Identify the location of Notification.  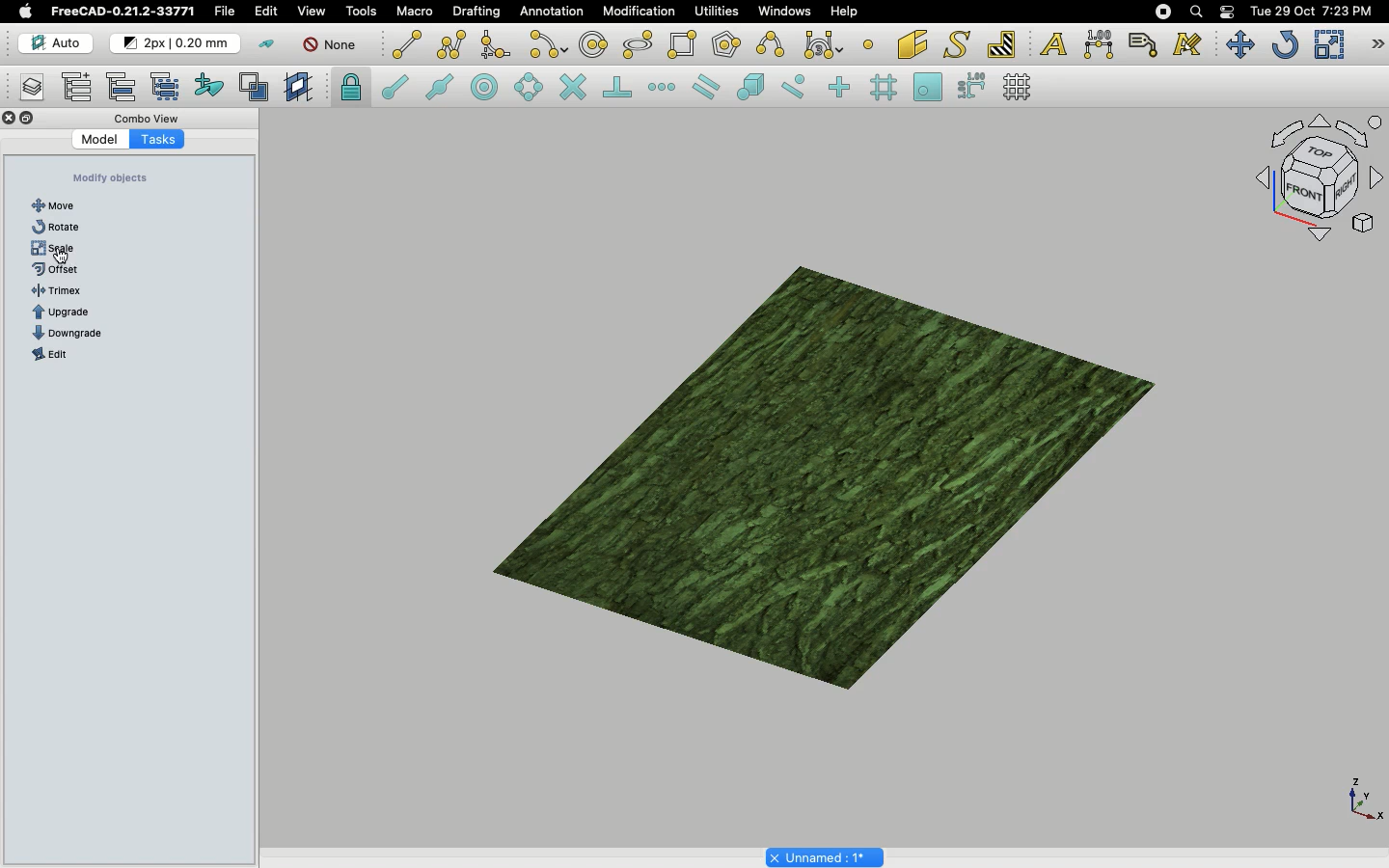
(1228, 11).